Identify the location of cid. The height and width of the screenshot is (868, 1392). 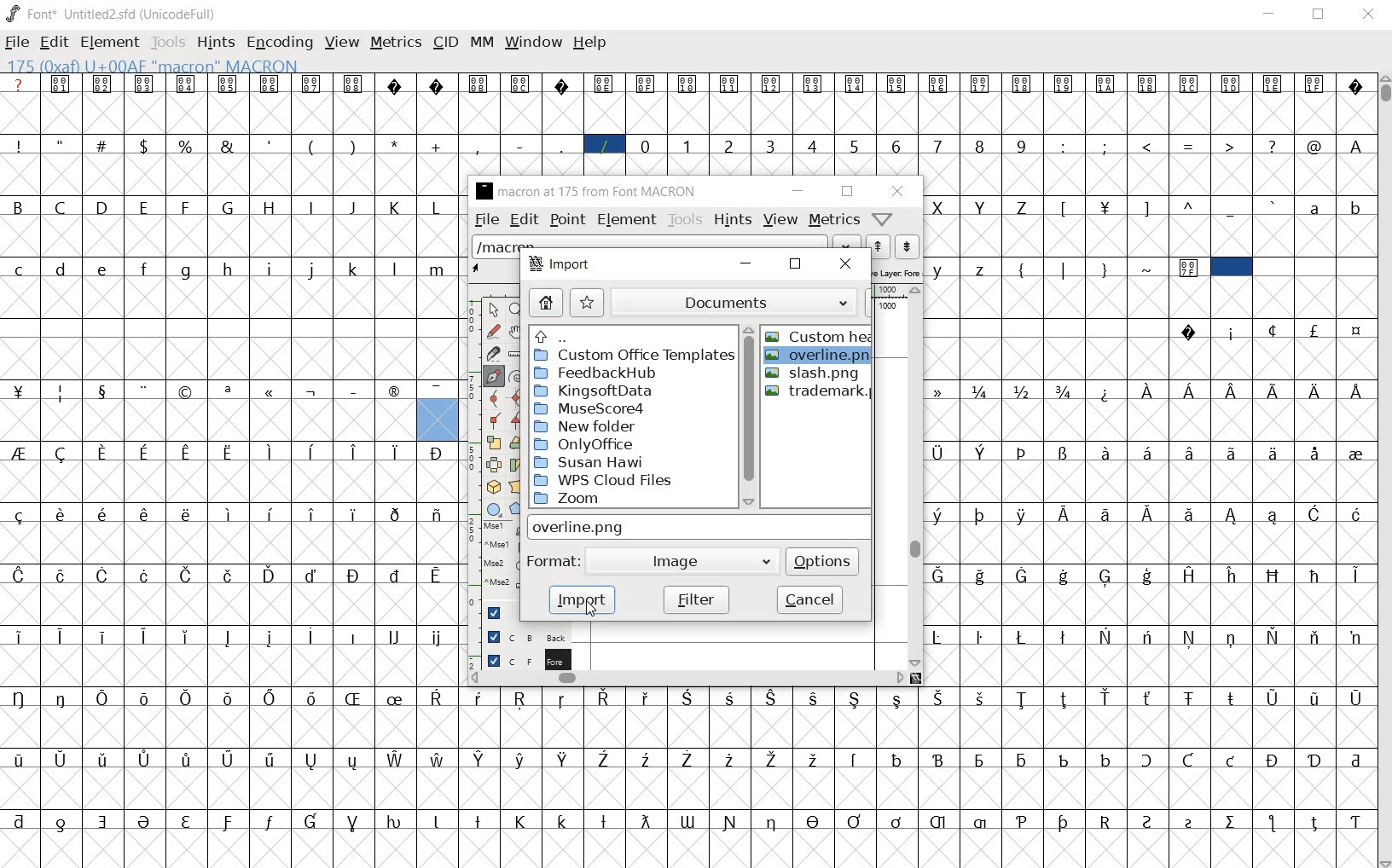
(445, 43).